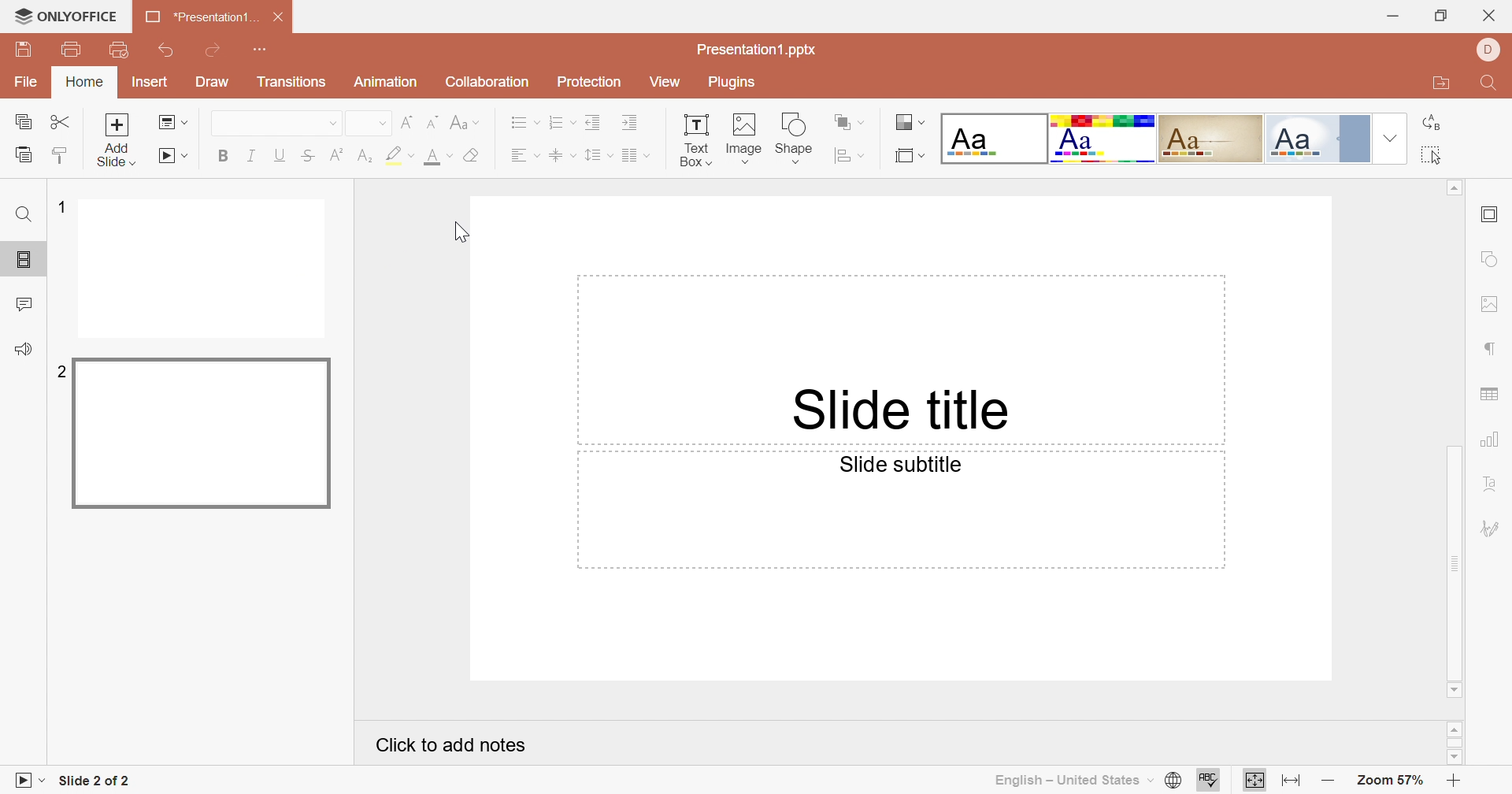 The width and height of the screenshot is (1512, 794). Describe the element at coordinates (636, 123) in the screenshot. I see `Increase indent` at that location.